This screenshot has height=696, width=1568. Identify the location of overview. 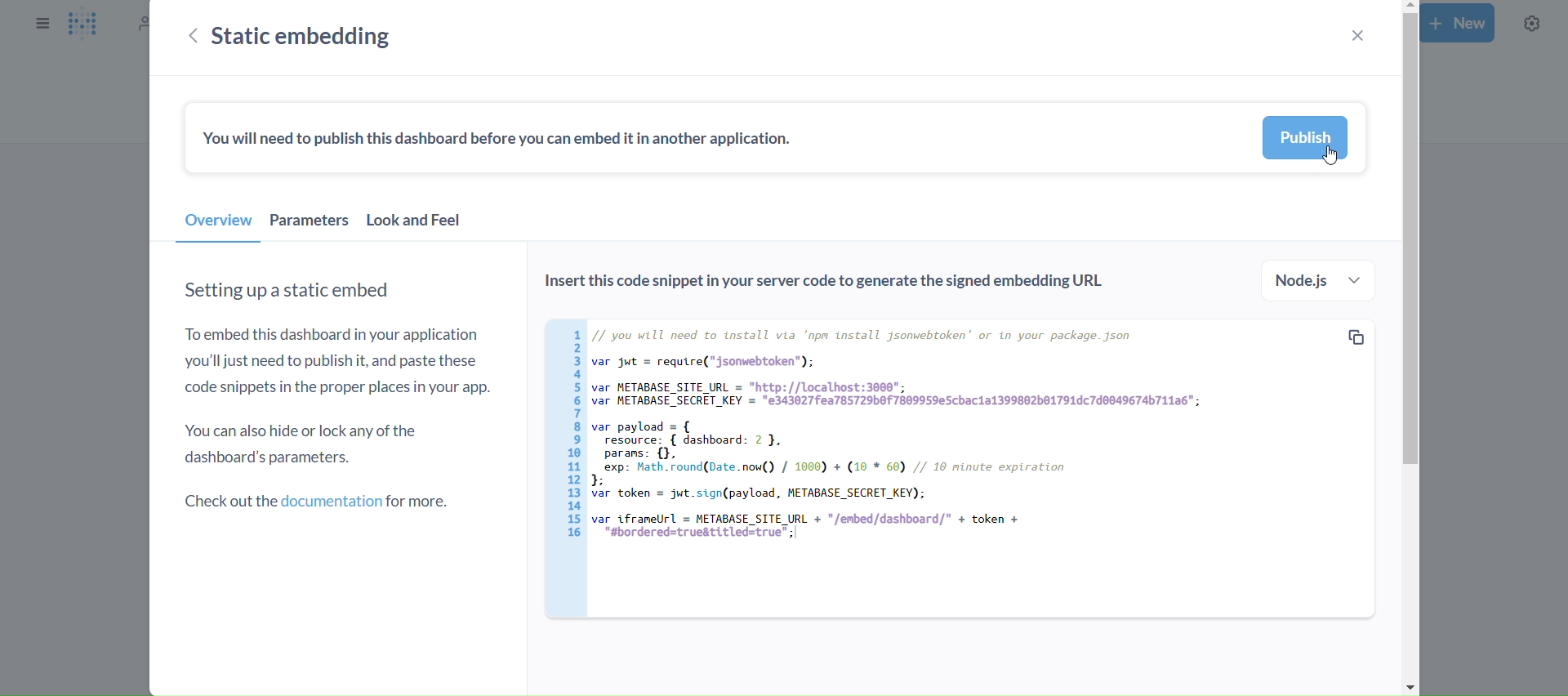
(218, 225).